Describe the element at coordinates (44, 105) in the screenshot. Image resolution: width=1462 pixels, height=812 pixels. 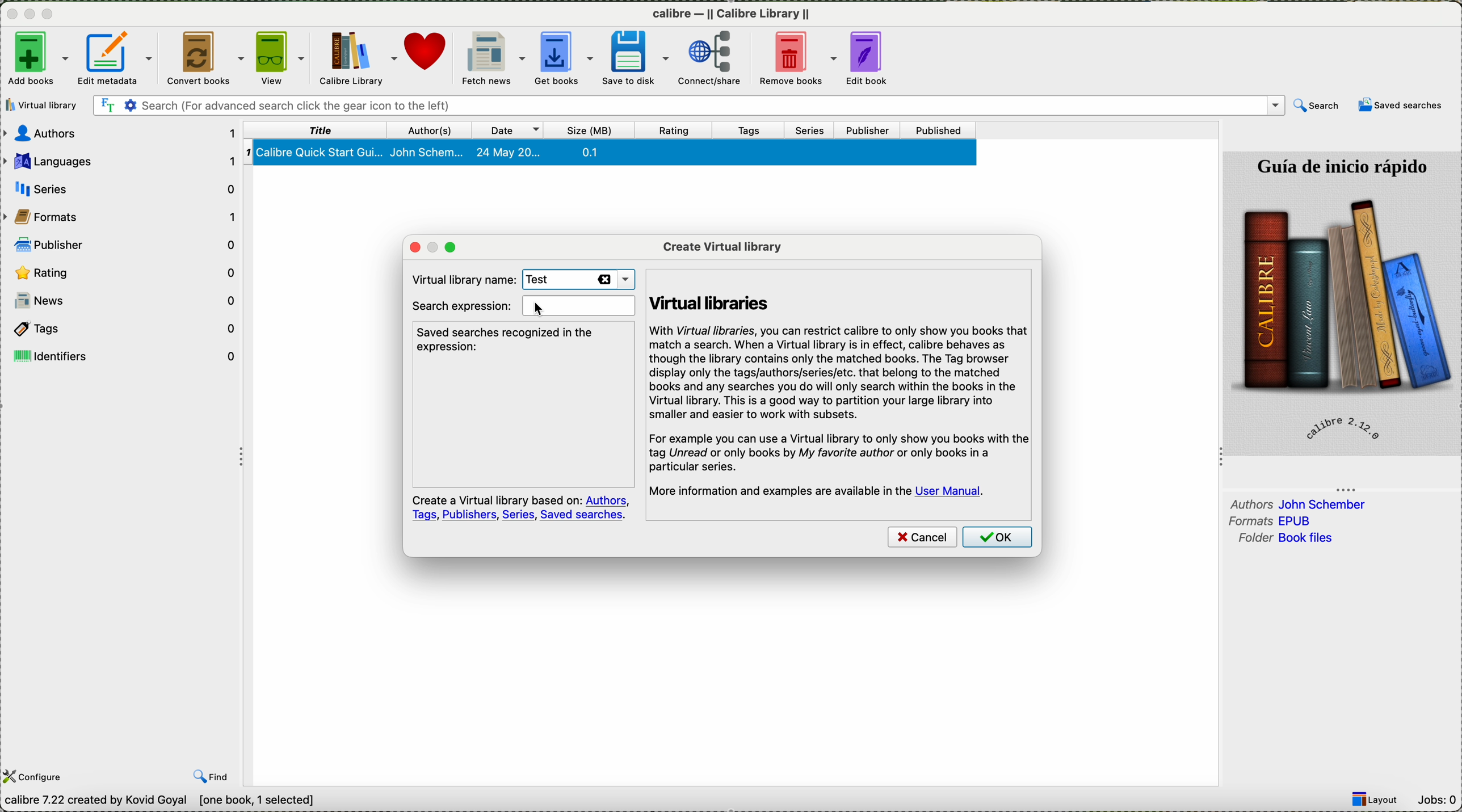
I see `click on virtual library` at that location.